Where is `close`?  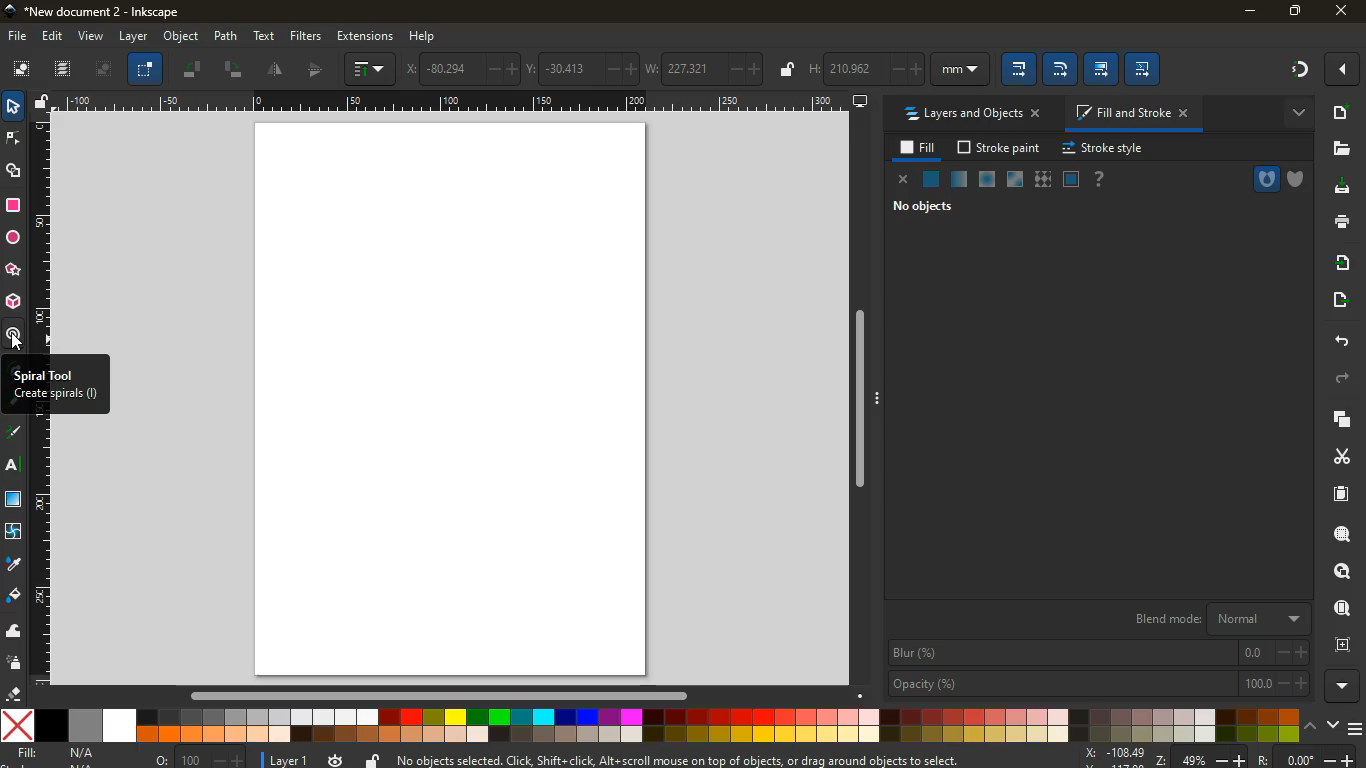
close is located at coordinates (1342, 10).